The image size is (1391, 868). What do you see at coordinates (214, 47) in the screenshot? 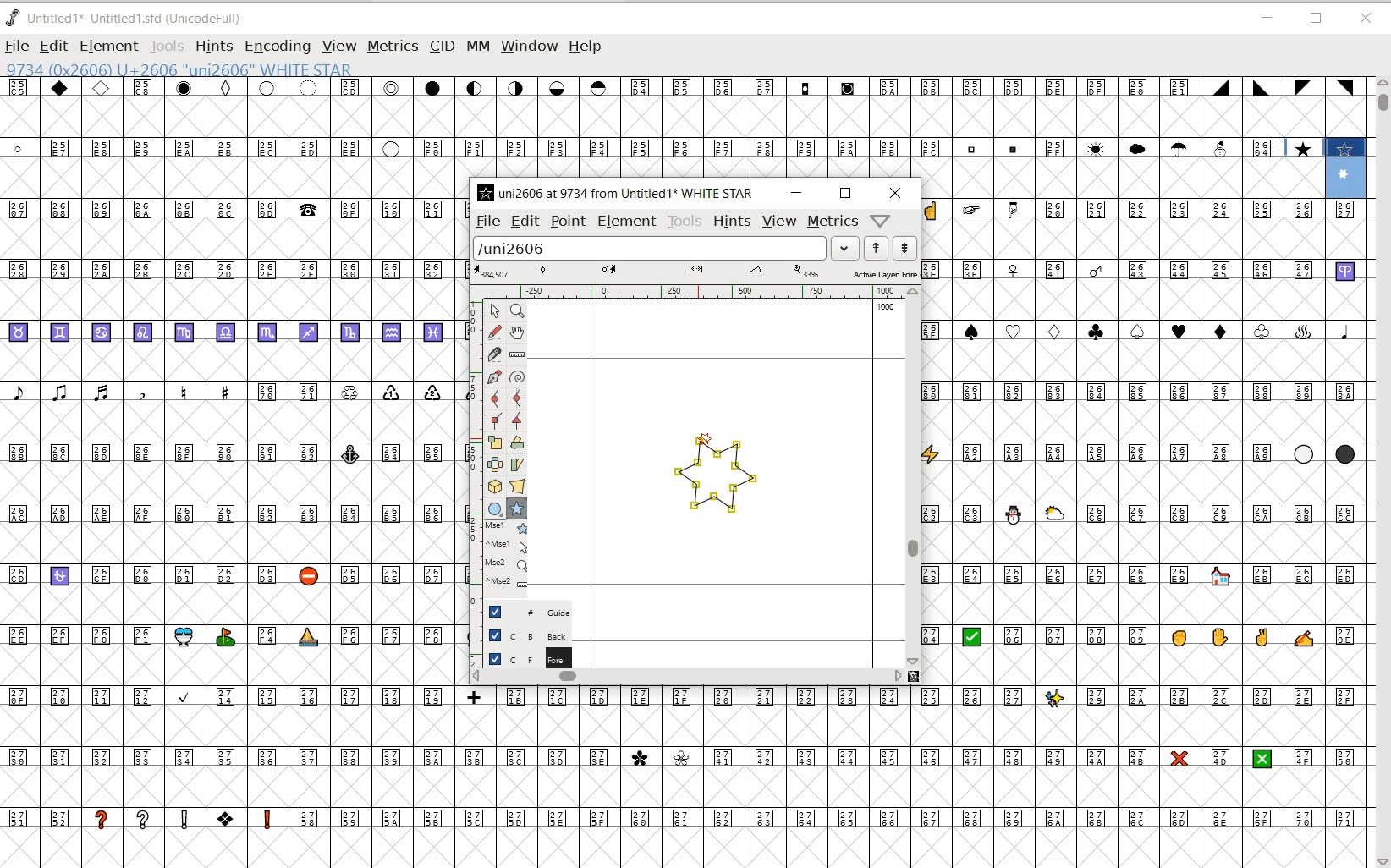
I see `HINTS` at bounding box center [214, 47].